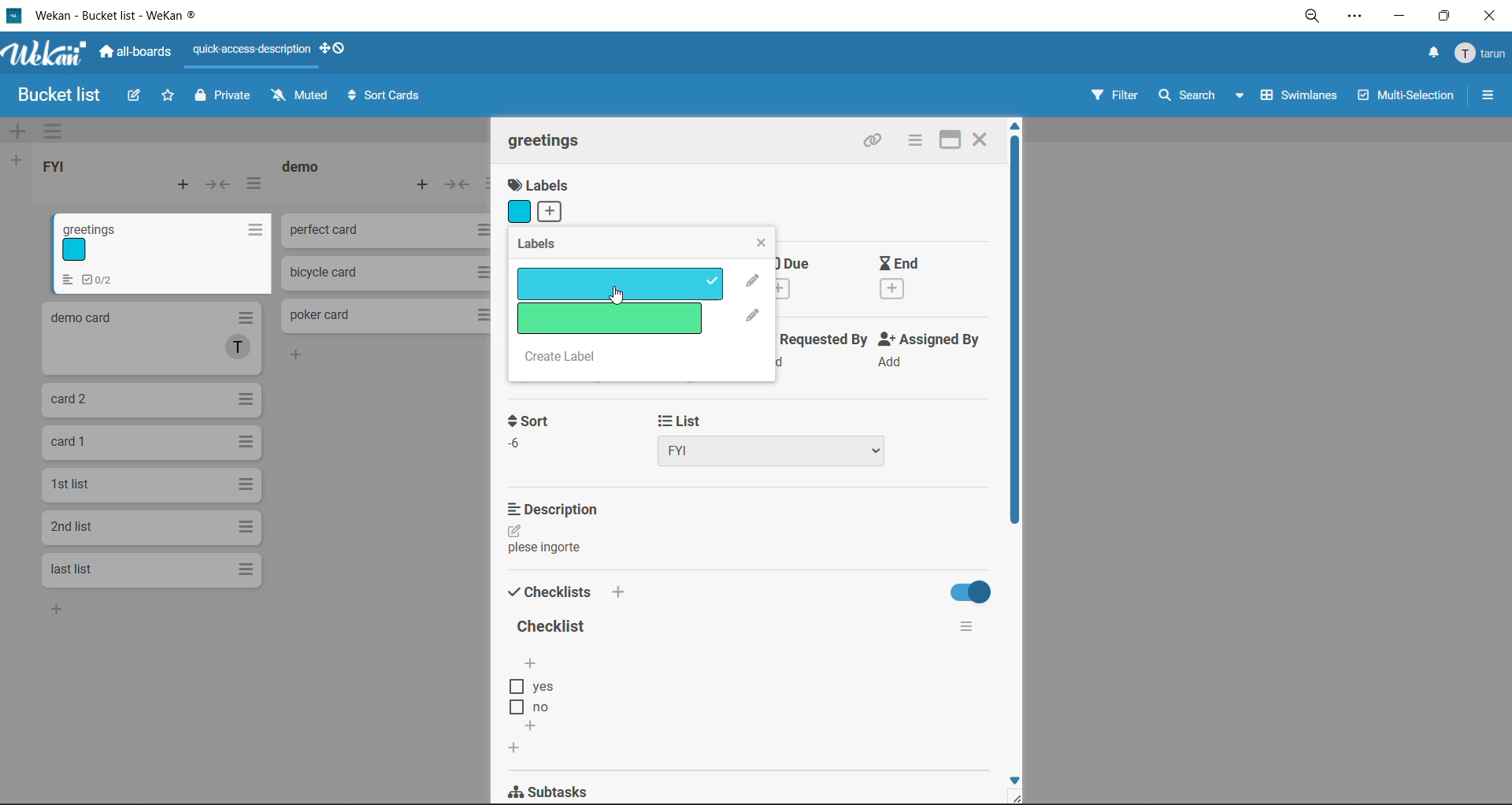 Image resolution: width=1512 pixels, height=805 pixels. I want to click on card 3, so click(151, 398).